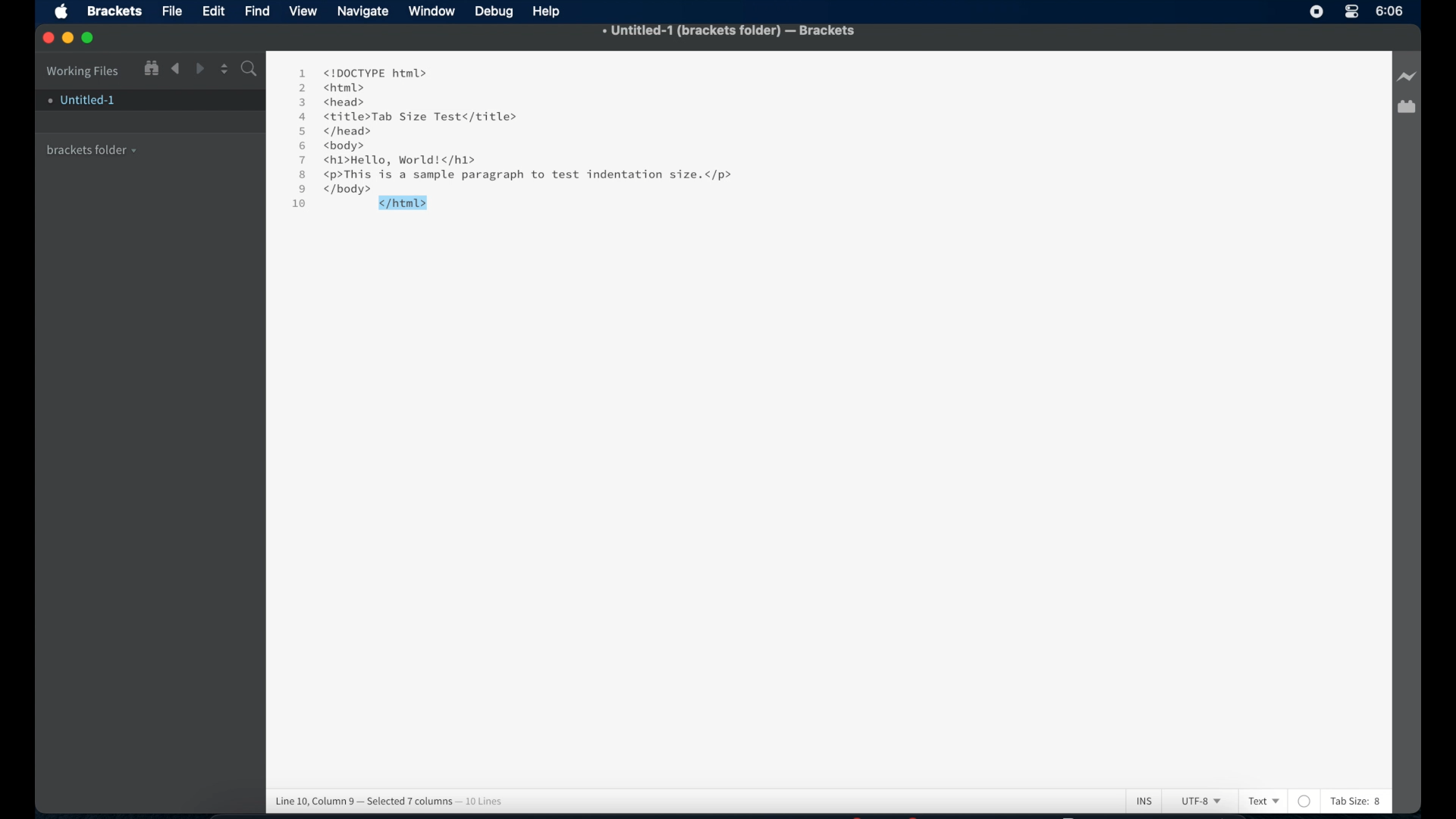  Describe the element at coordinates (337, 146) in the screenshot. I see `6 <body>` at that location.